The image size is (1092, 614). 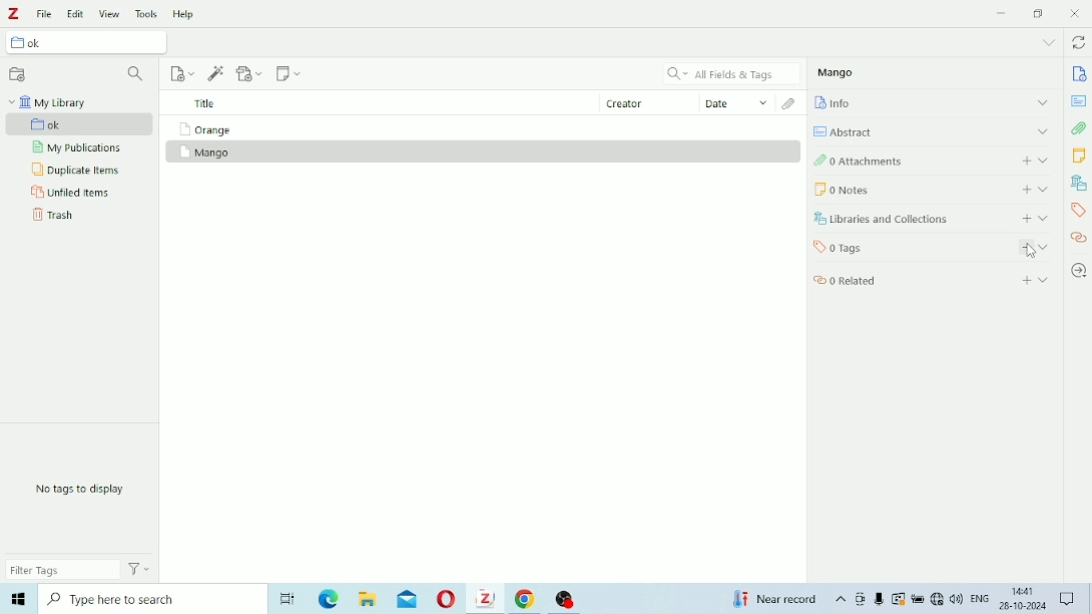 I want to click on Unfiled Items, so click(x=72, y=191).